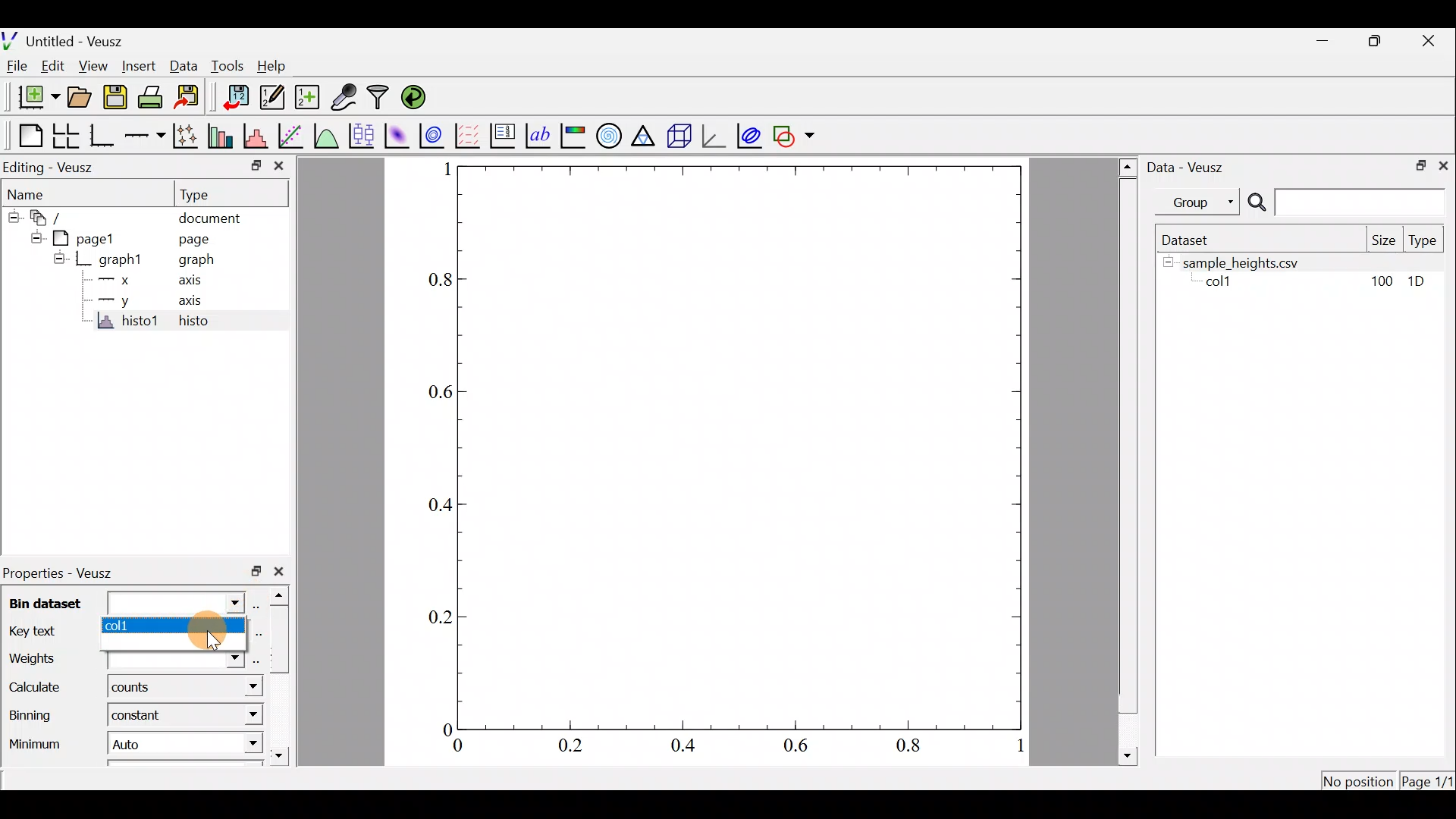 This screenshot has width=1456, height=819. I want to click on hide, so click(1168, 262).